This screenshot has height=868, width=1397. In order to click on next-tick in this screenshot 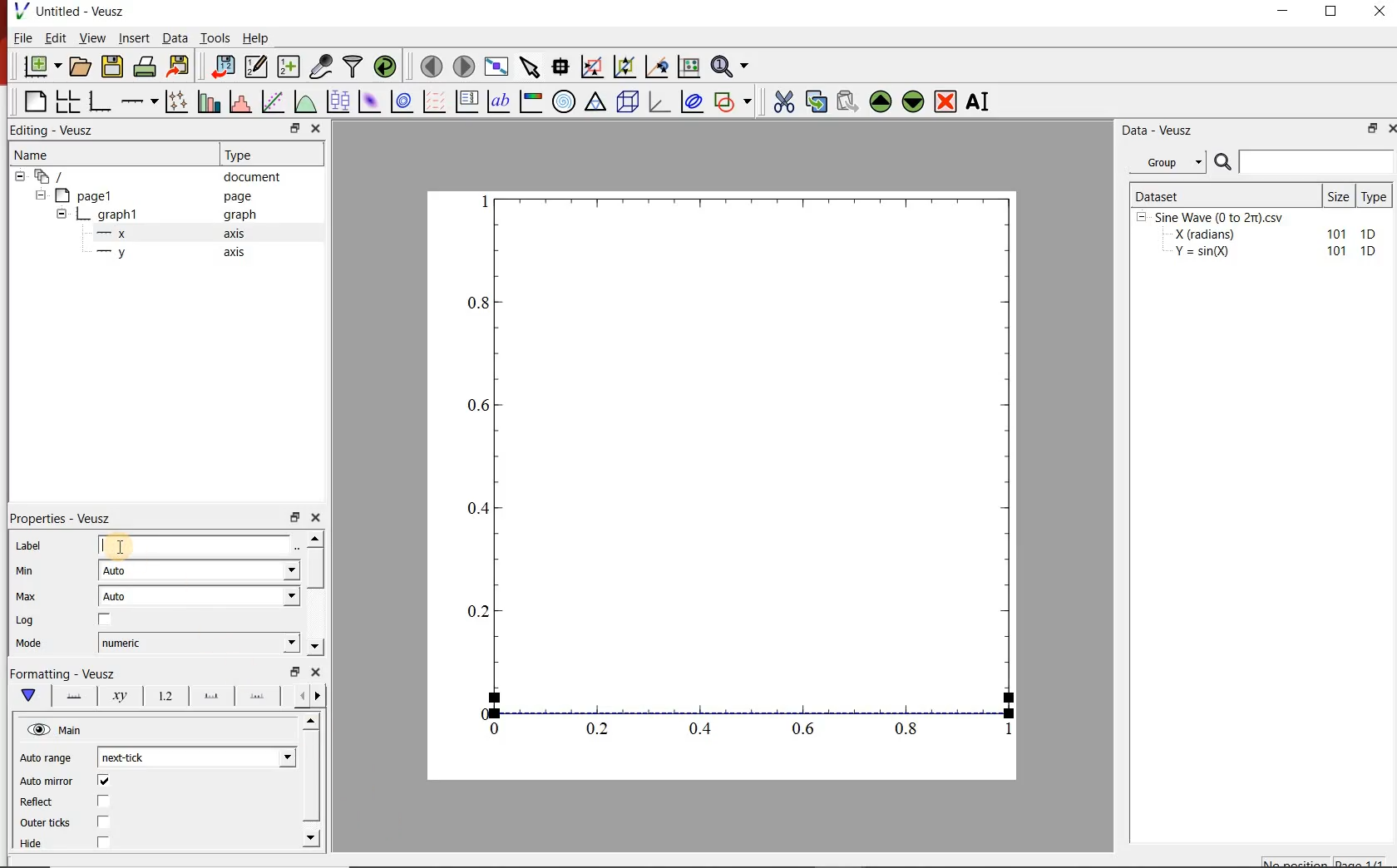, I will do `click(196, 756)`.